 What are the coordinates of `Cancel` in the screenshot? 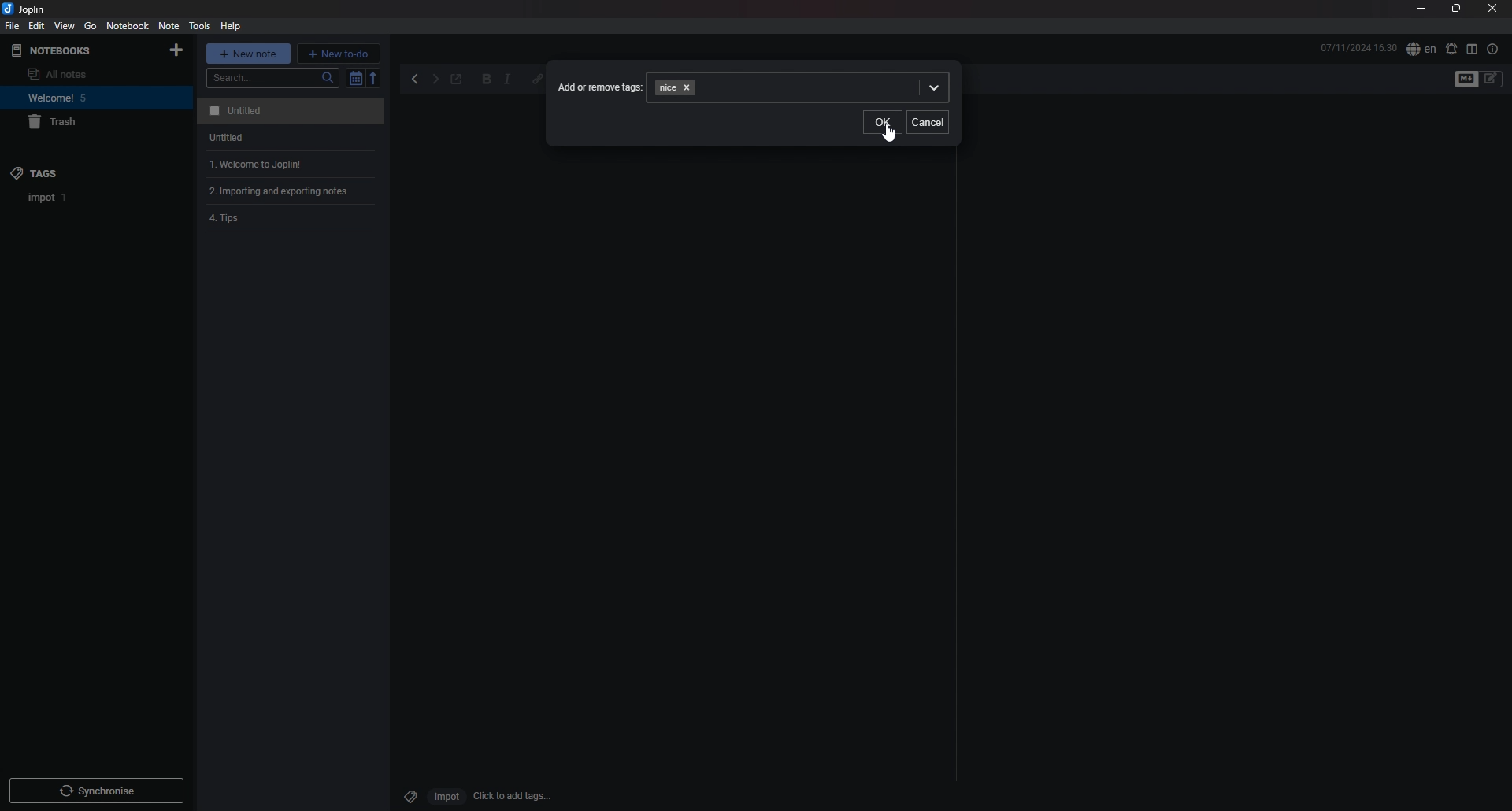 It's located at (928, 120).